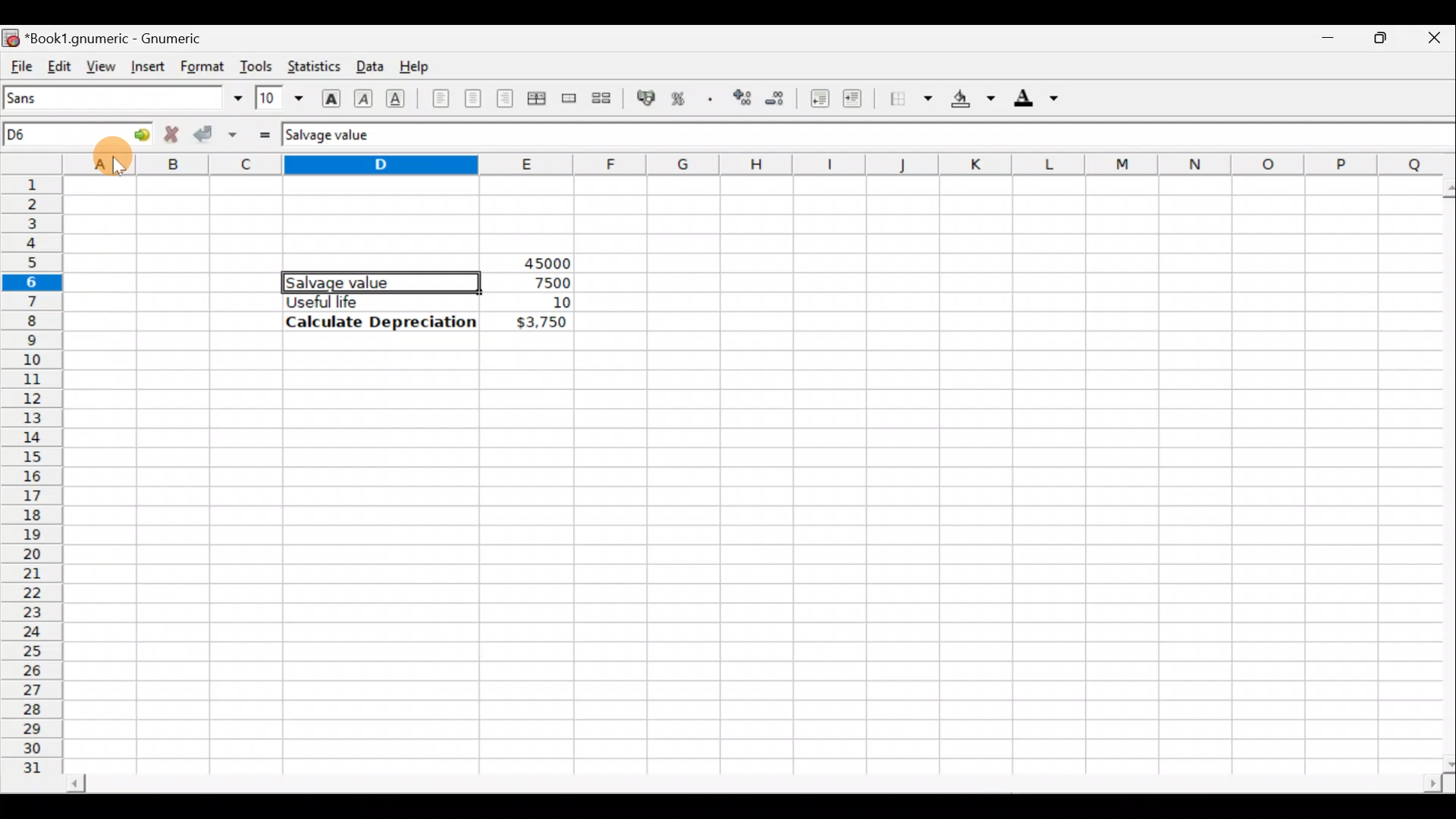 The height and width of the screenshot is (819, 1456). I want to click on Centre horizontally across selection, so click(536, 101).